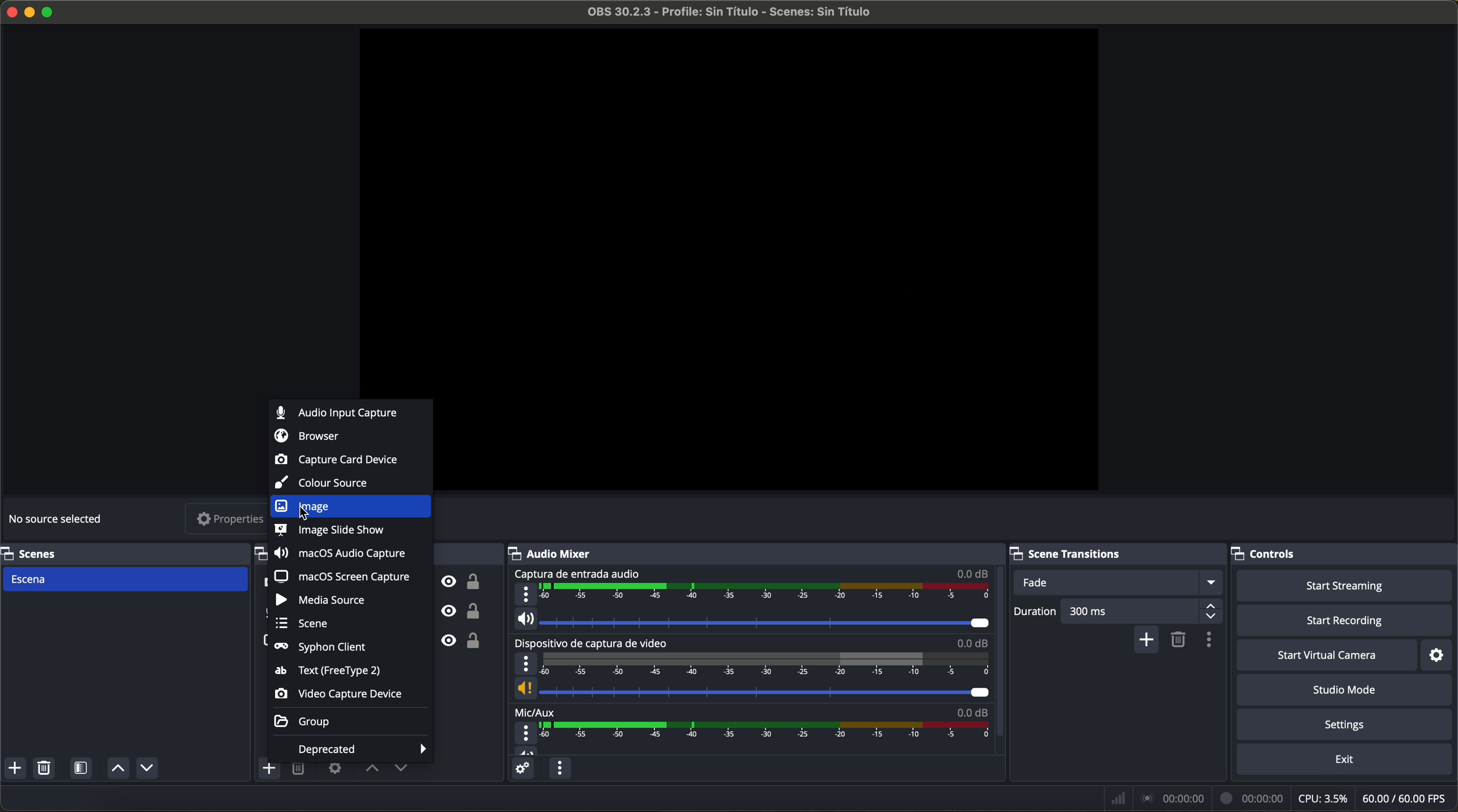  I want to click on data, so click(1281, 798).